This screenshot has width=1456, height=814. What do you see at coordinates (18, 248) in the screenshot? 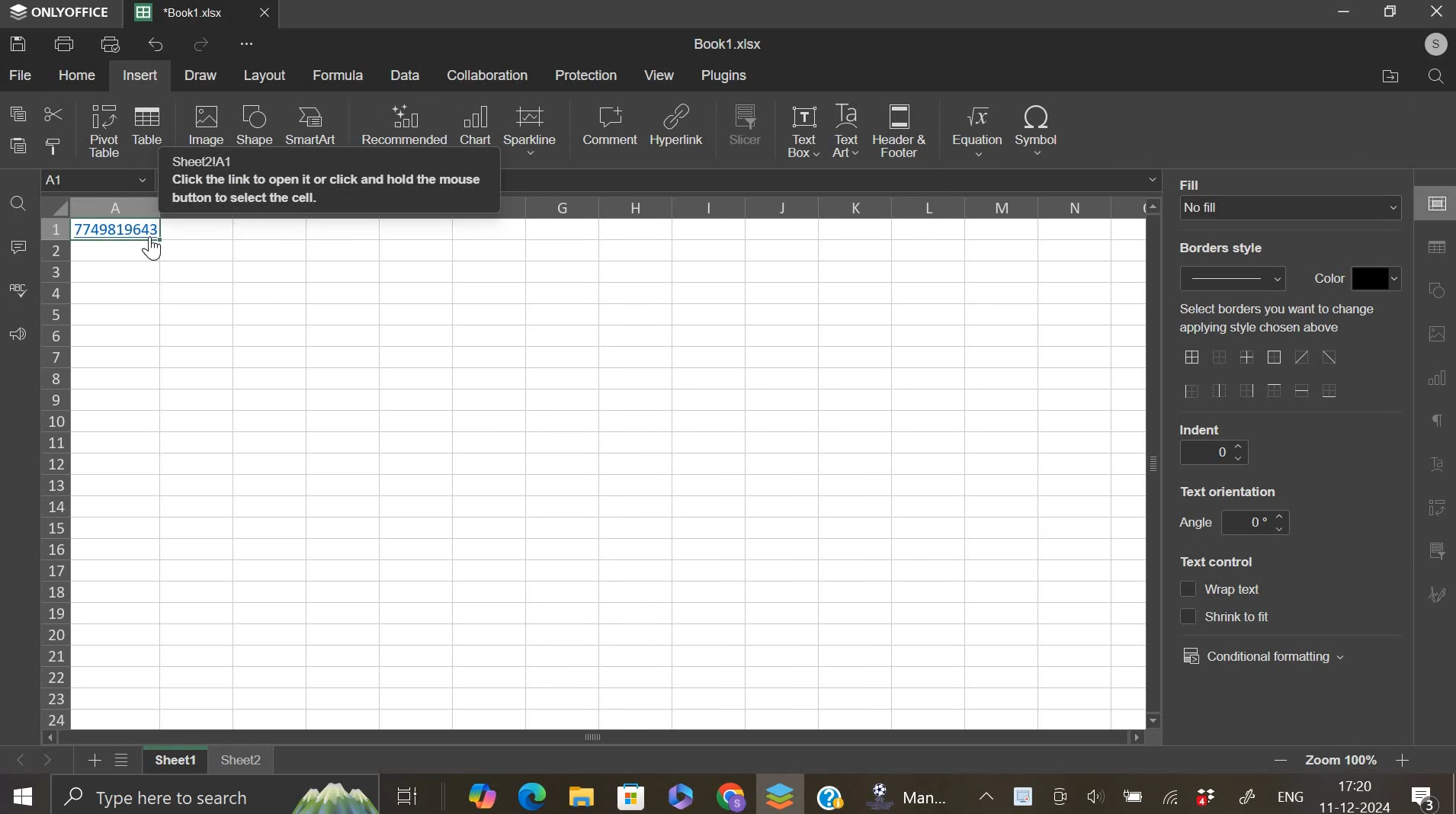
I see `comment` at bounding box center [18, 248].